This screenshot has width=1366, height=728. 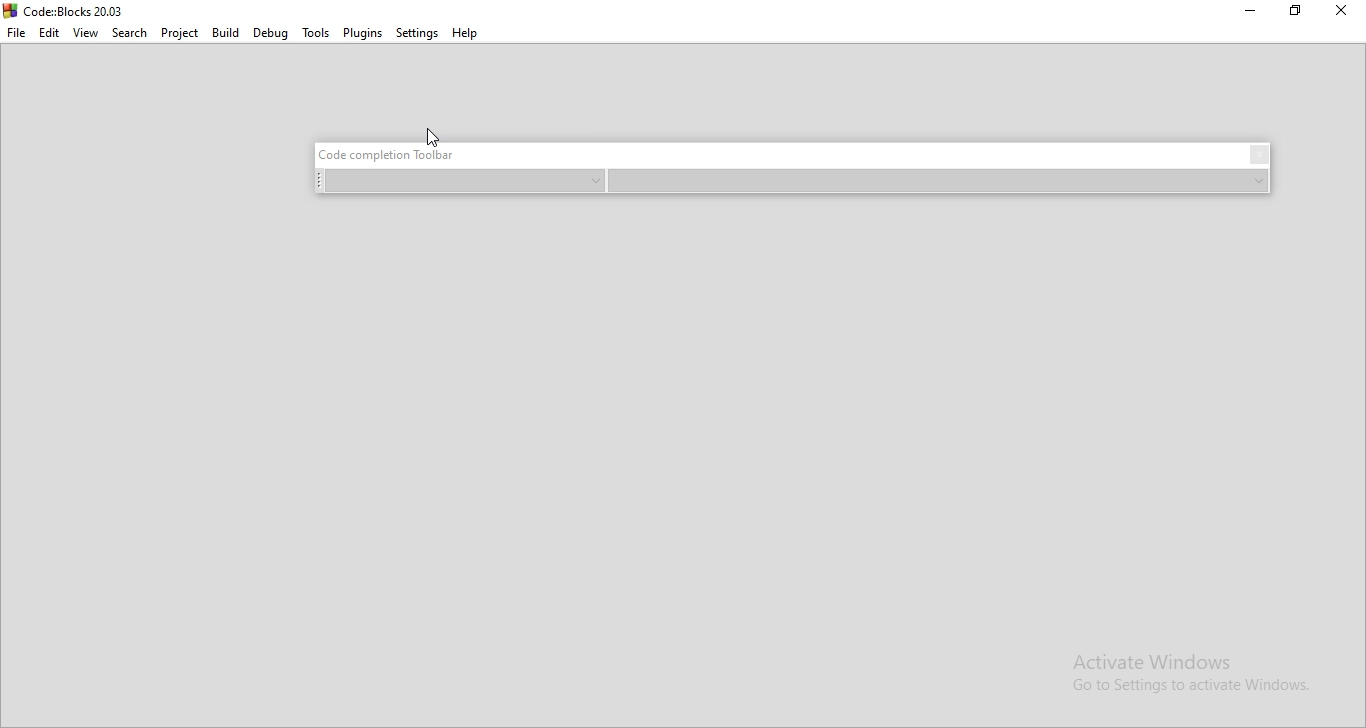 What do you see at coordinates (269, 33) in the screenshot?
I see `Debug ` at bounding box center [269, 33].